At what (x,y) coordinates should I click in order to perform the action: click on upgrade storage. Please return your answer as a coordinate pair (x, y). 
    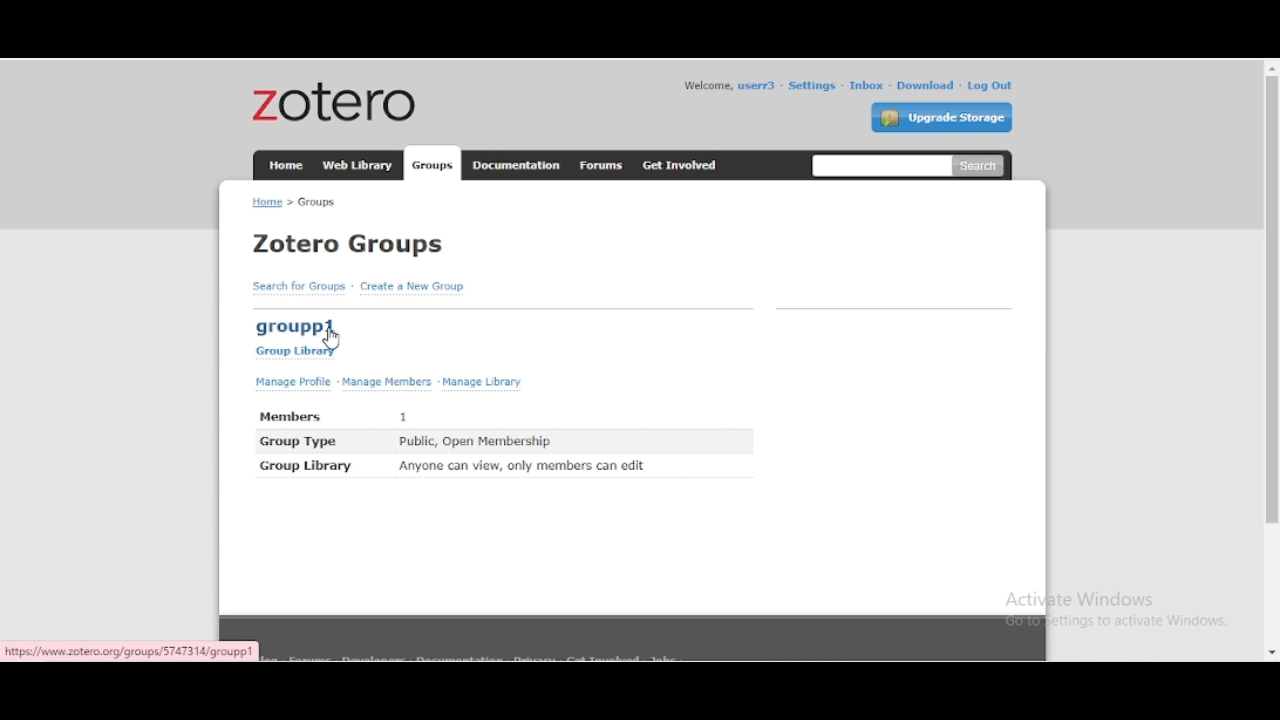
    Looking at the image, I should click on (942, 117).